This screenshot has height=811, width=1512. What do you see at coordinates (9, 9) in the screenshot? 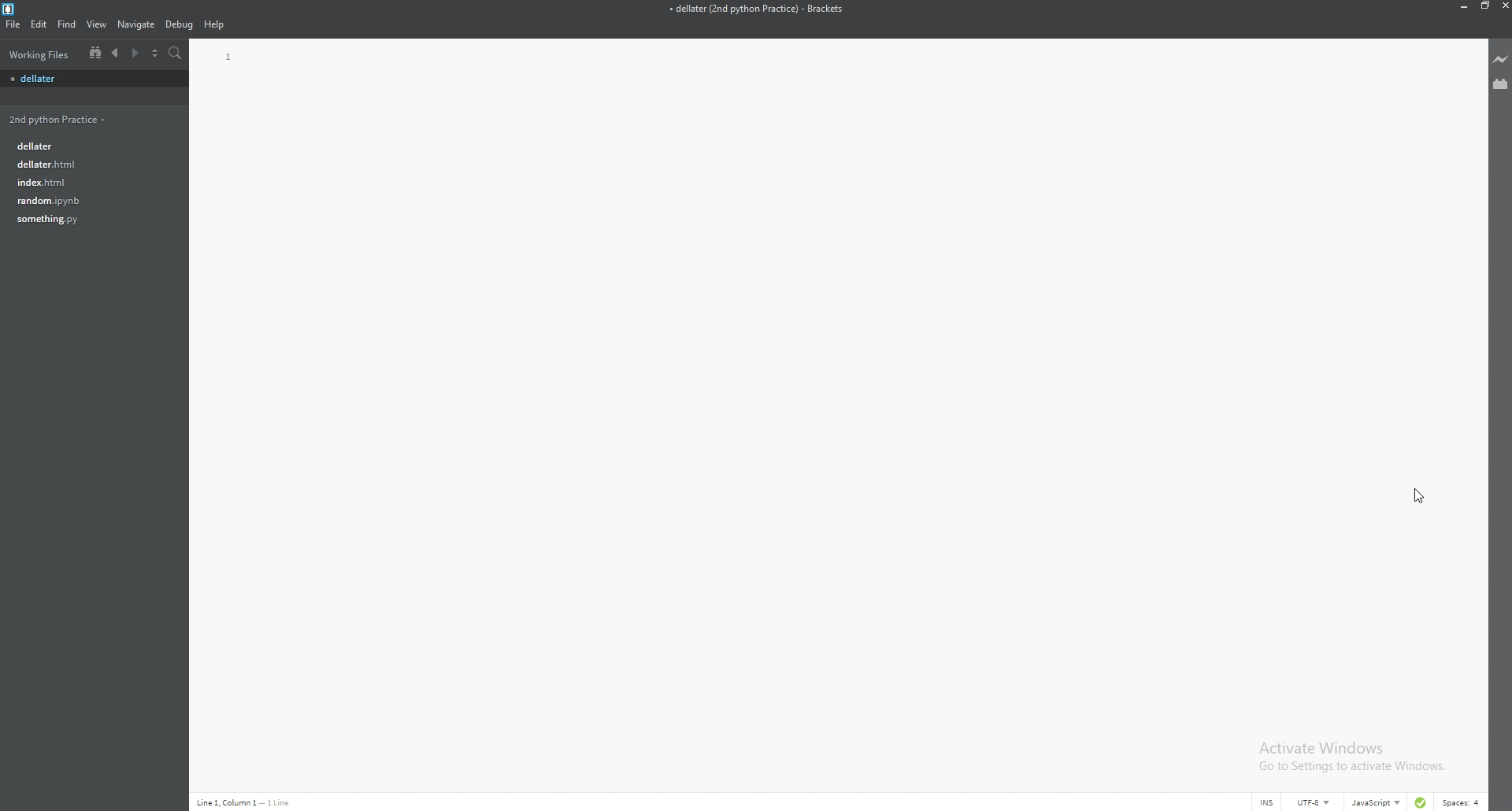
I see `brackets` at bounding box center [9, 9].